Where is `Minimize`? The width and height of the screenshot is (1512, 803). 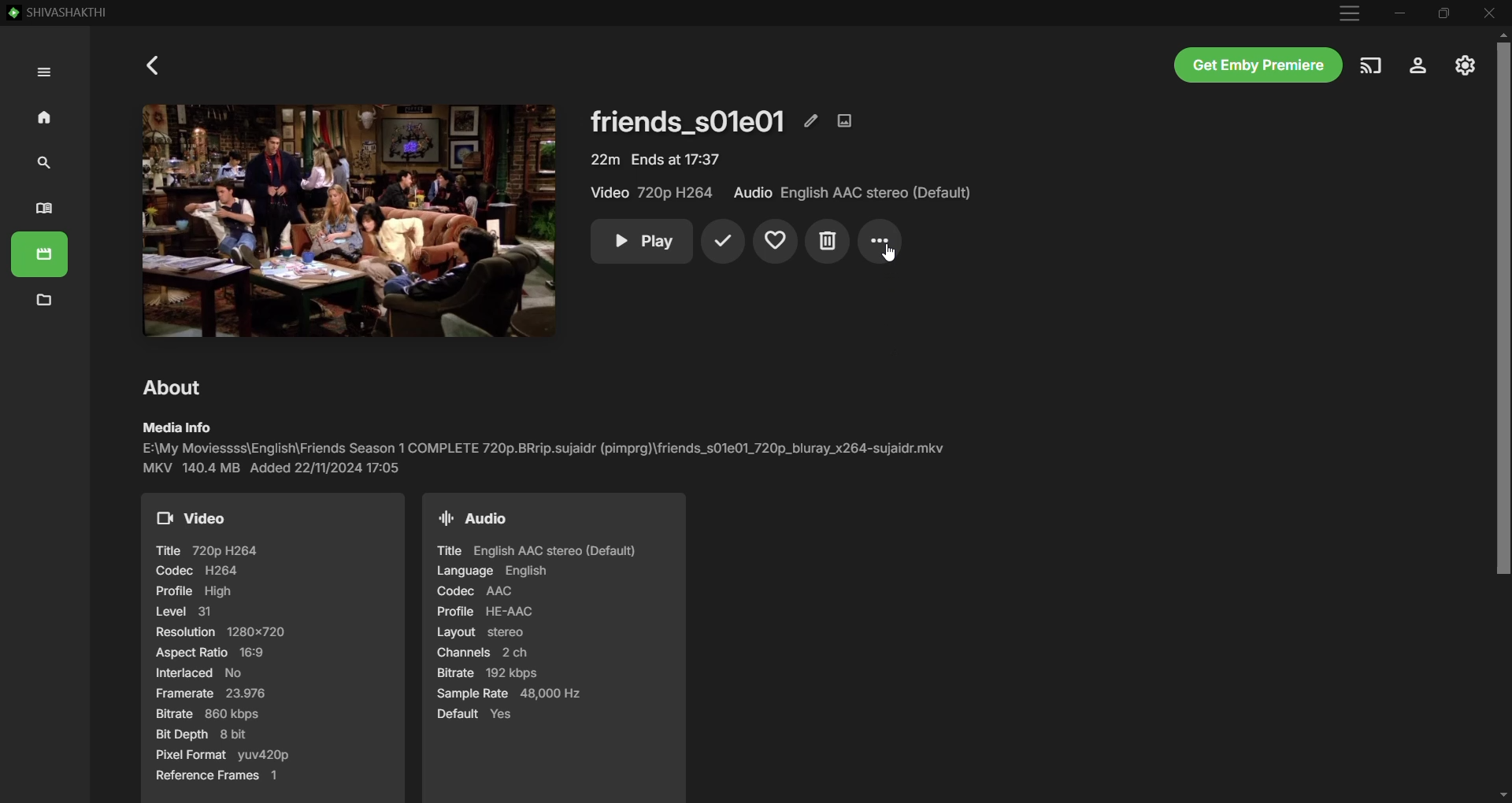
Minimize is located at coordinates (1400, 13).